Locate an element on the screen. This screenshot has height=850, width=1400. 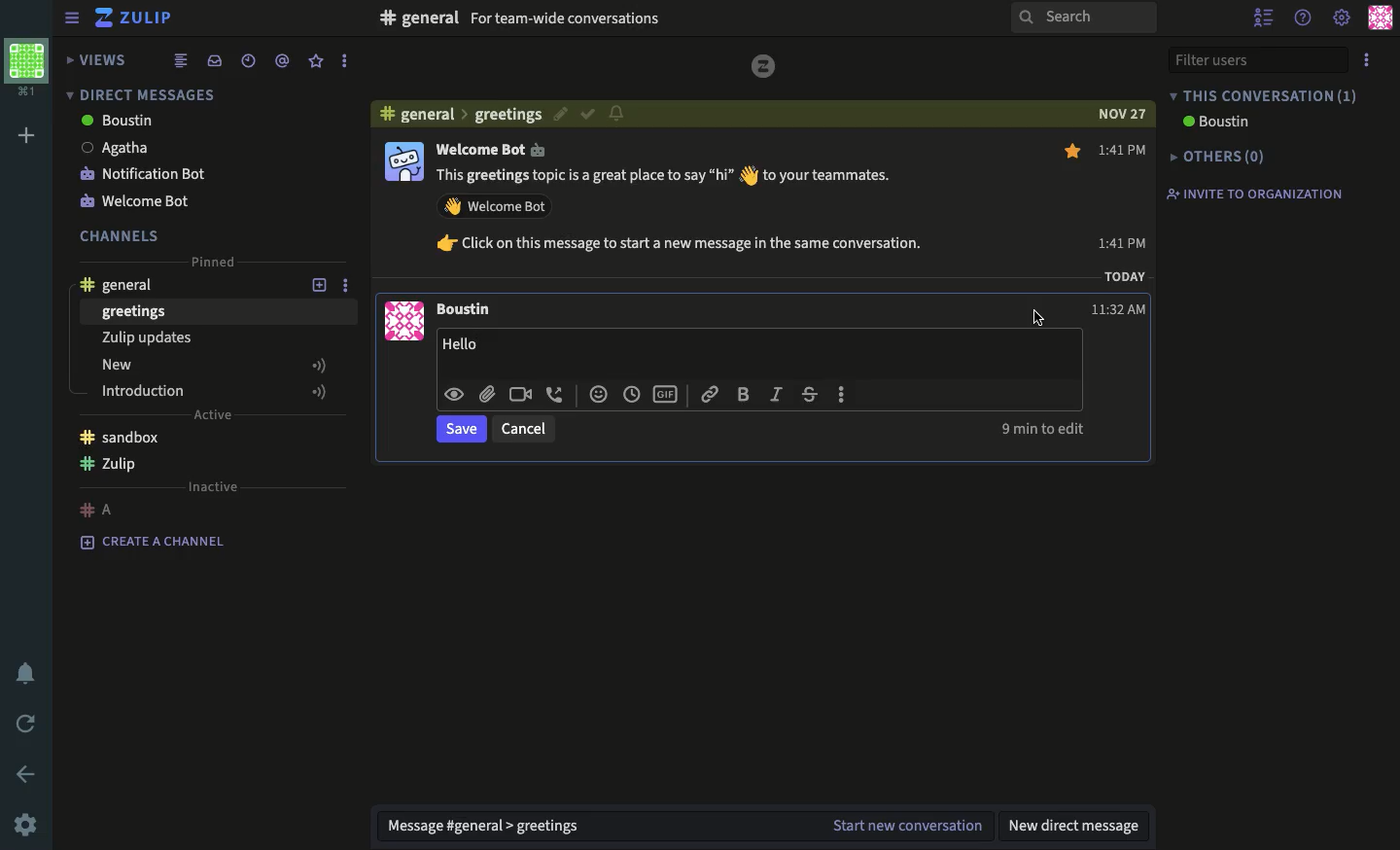
favorite is located at coordinates (316, 61).